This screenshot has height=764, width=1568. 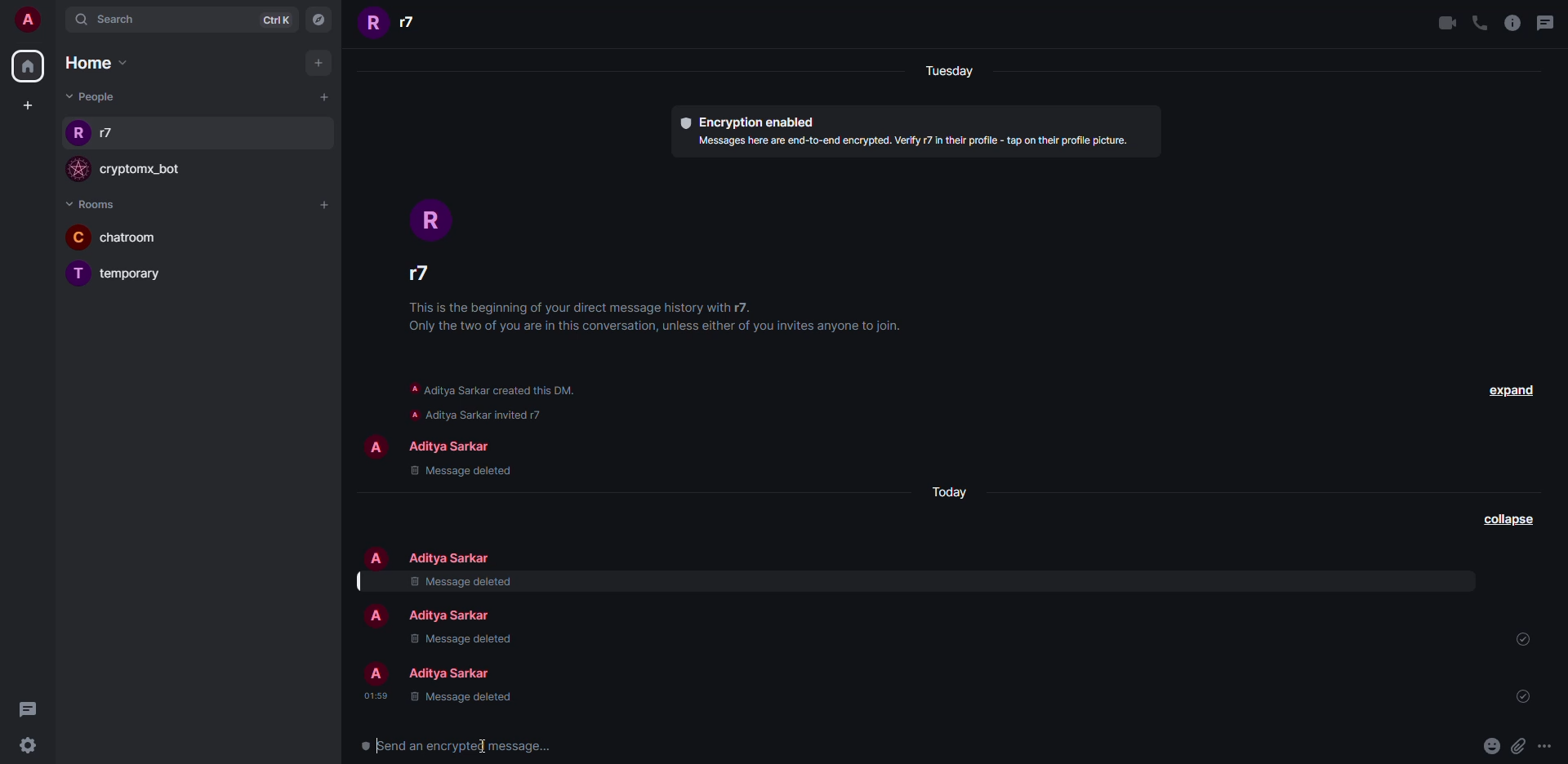 What do you see at coordinates (140, 238) in the screenshot?
I see `room` at bounding box center [140, 238].